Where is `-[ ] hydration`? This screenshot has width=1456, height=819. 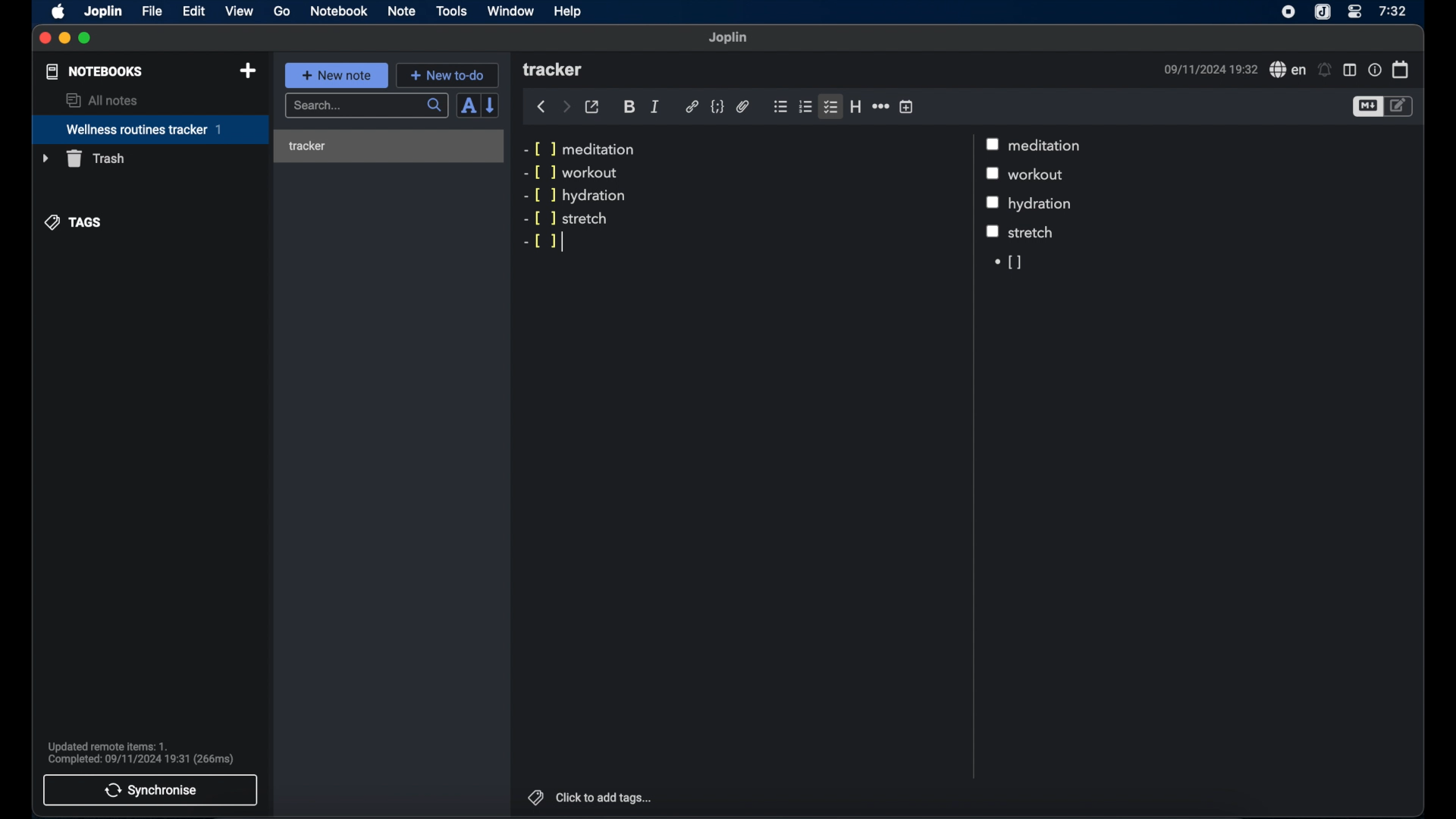 -[ ] hydration is located at coordinates (578, 196).